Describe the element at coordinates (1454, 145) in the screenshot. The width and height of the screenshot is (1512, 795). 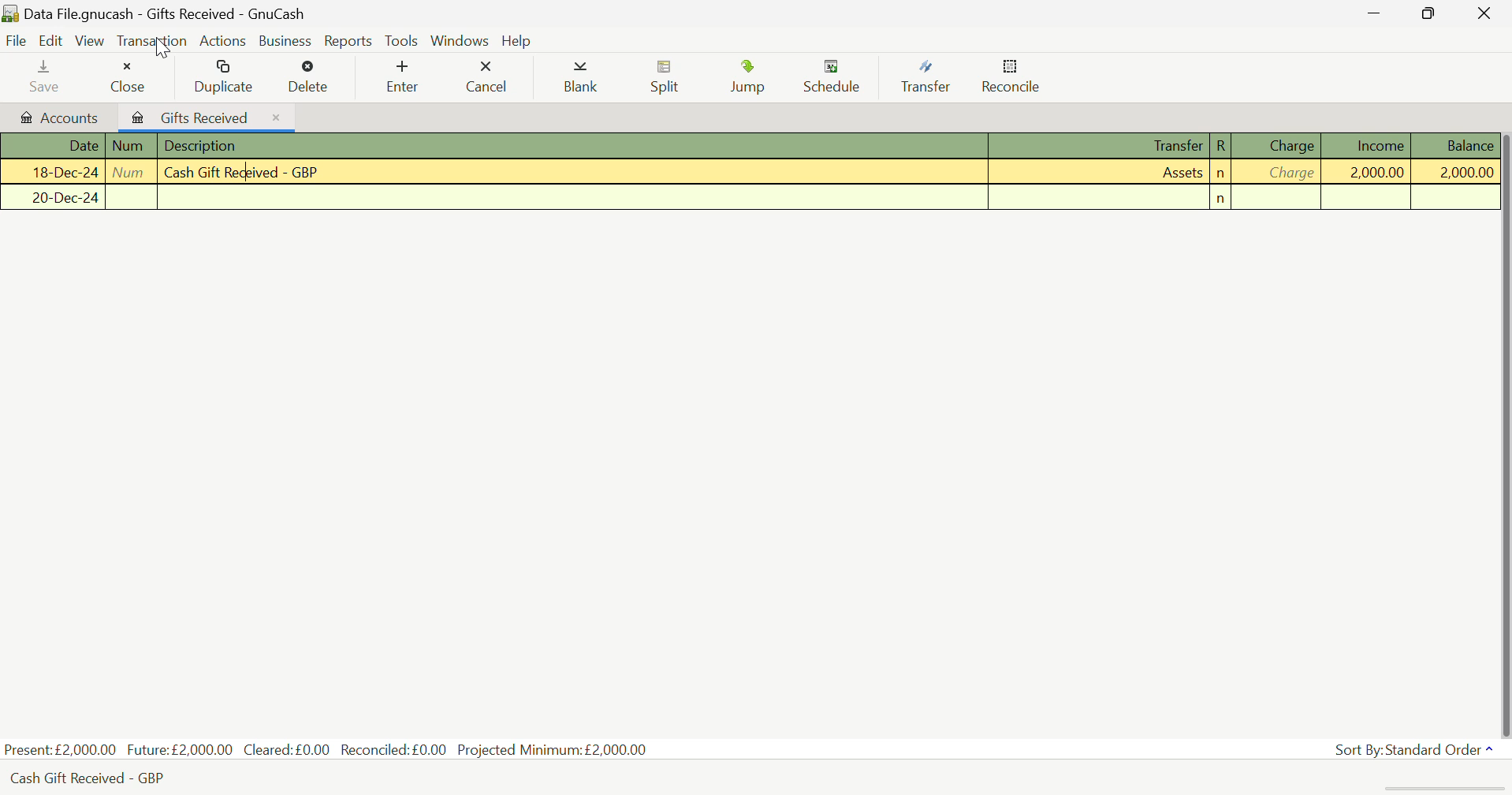
I see `Balance` at that location.